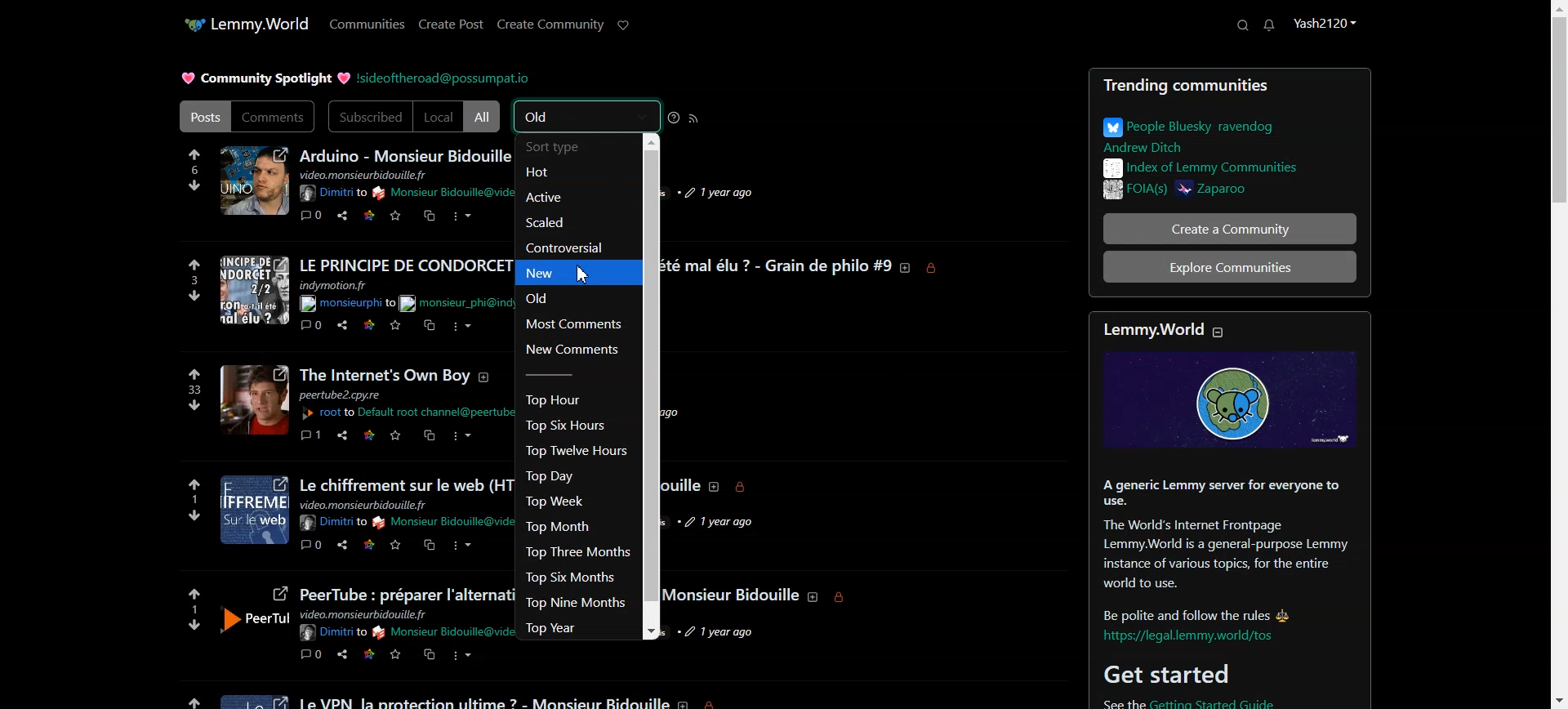 The height and width of the screenshot is (709, 1568). What do you see at coordinates (395, 544) in the screenshot?
I see `` at bounding box center [395, 544].